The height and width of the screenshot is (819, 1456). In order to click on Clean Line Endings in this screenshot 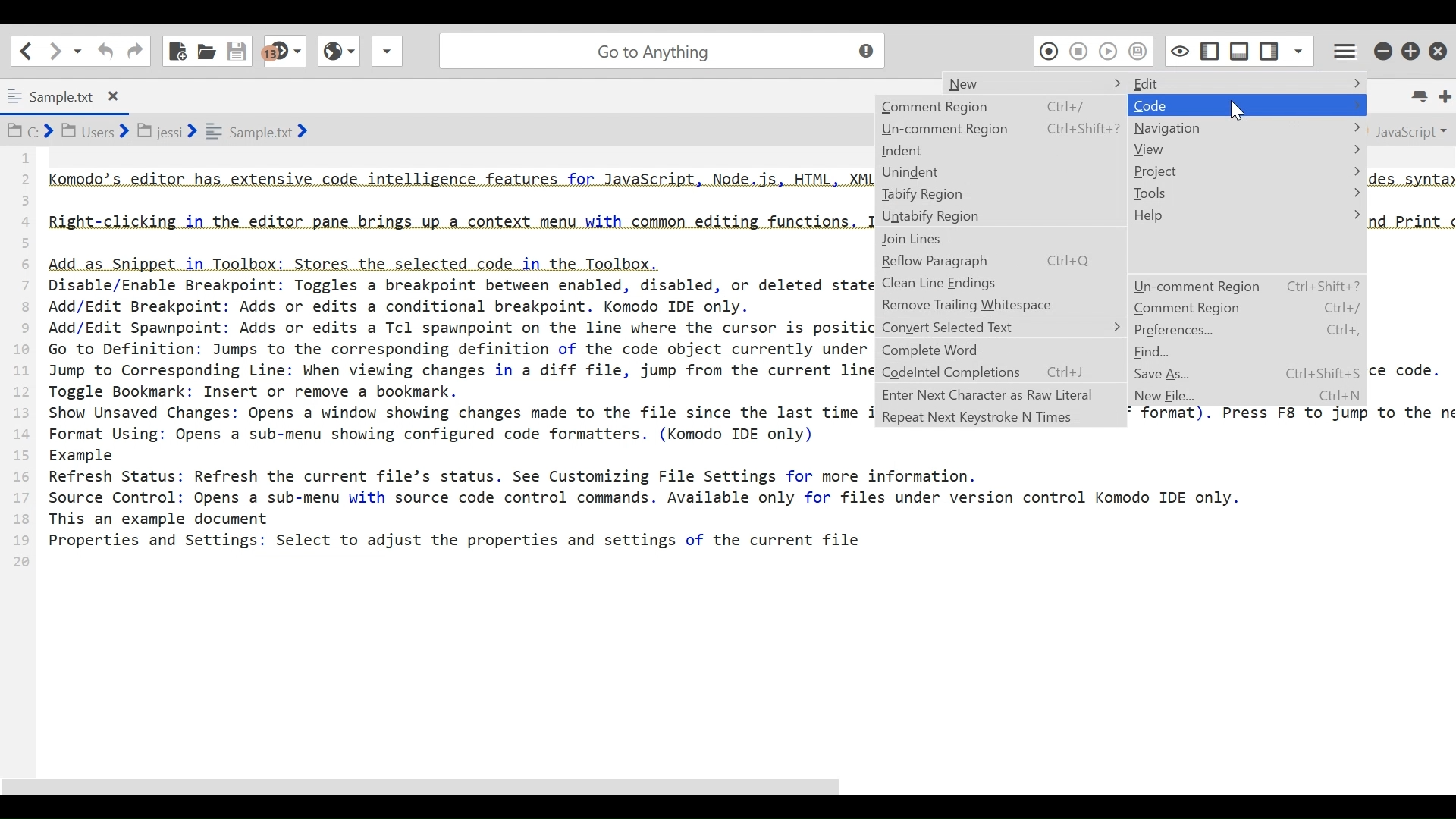, I will do `click(999, 284)`.